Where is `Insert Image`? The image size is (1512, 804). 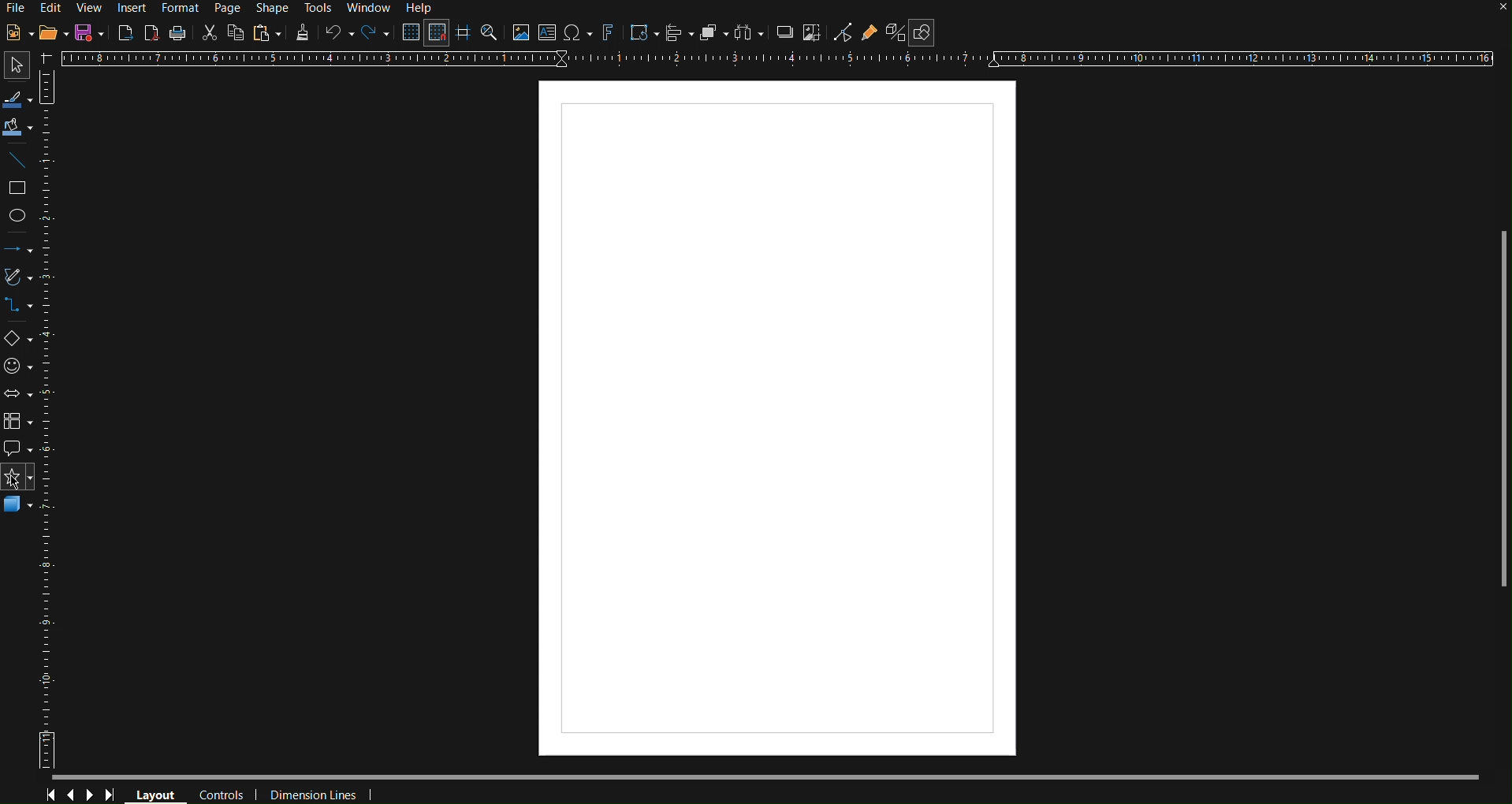 Insert Image is located at coordinates (521, 35).